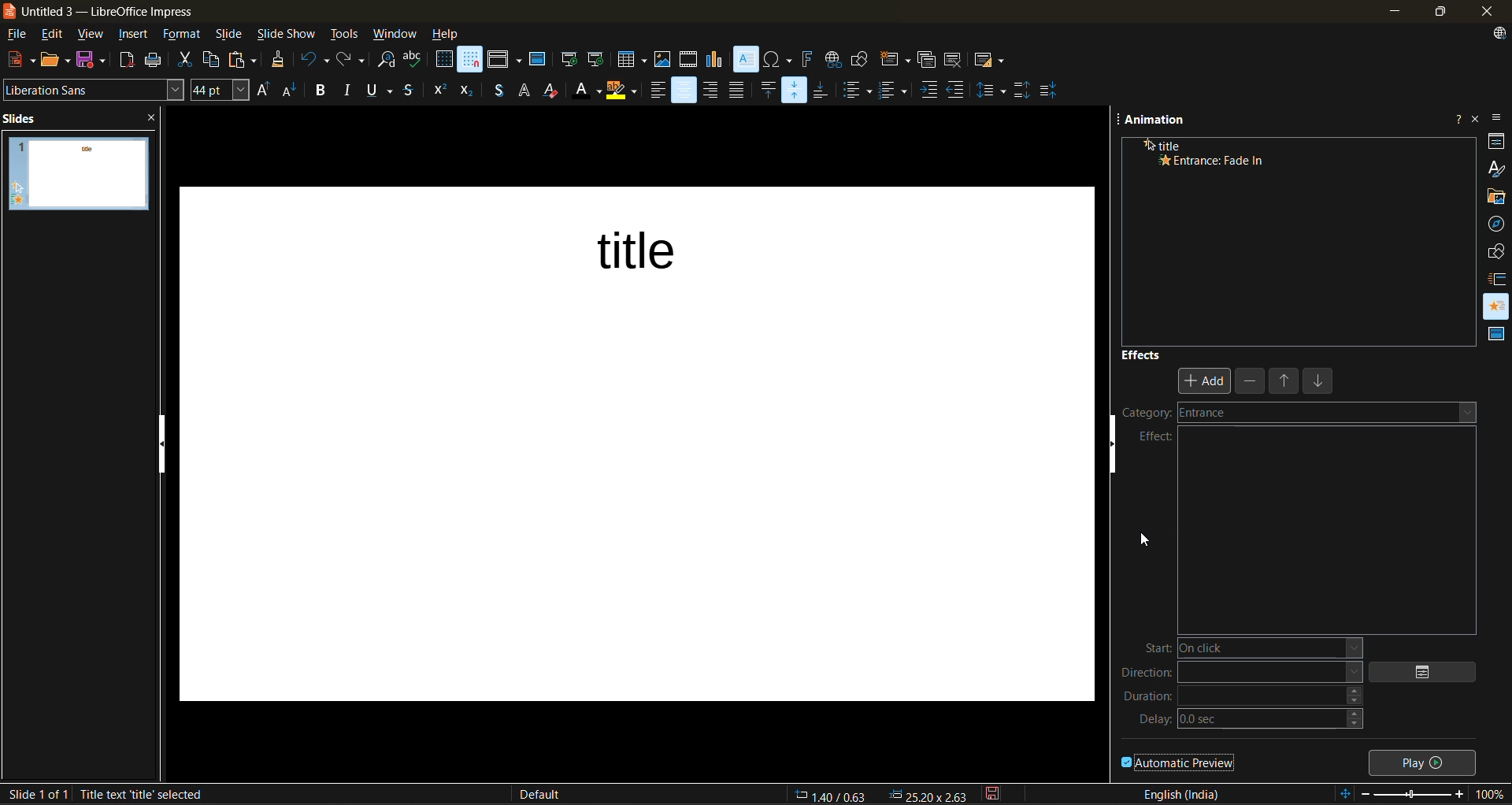 This screenshot has width=1512, height=805. Describe the element at coordinates (1251, 381) in the screenshot. I see `remove effect` at that location.